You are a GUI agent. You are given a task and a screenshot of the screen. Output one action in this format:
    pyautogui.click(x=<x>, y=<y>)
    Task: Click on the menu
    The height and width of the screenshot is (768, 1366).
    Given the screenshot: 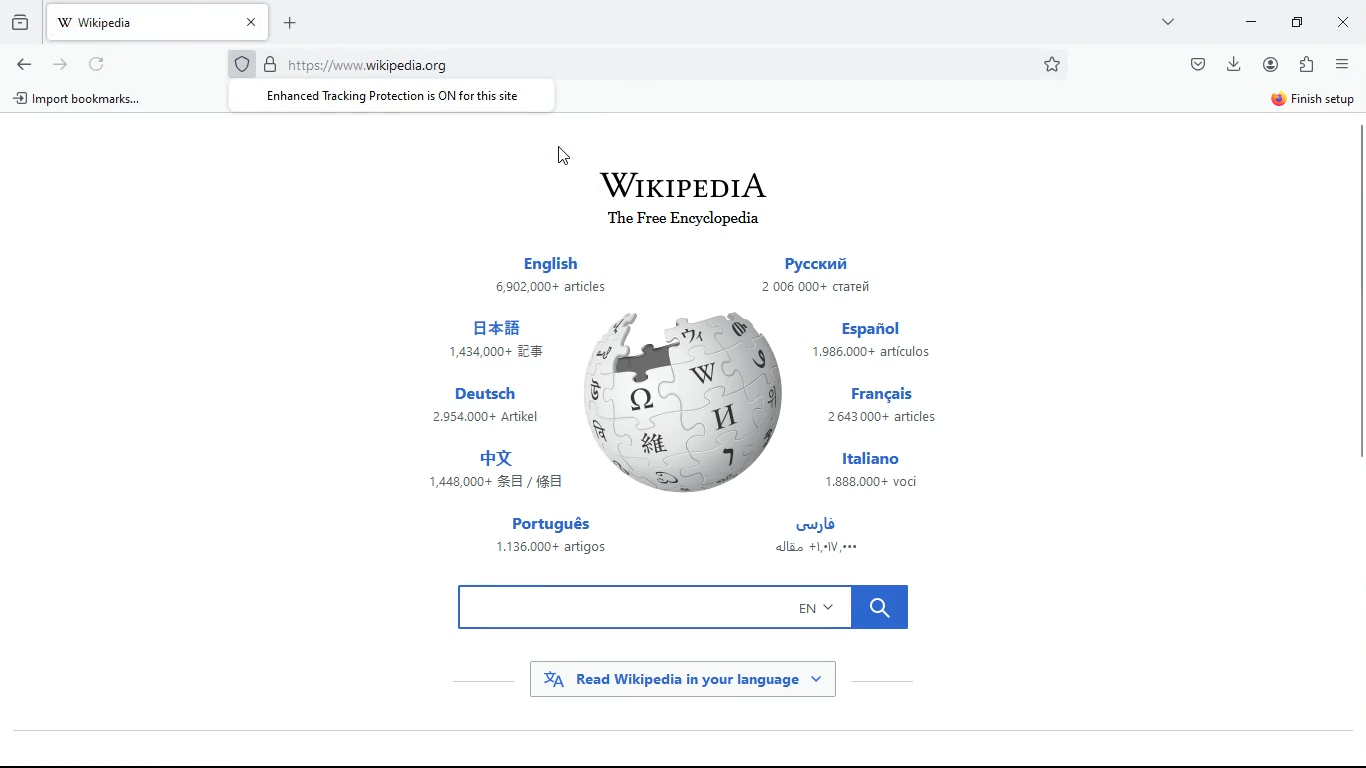 What is the action you would take?
    pyautogui.click(x=1342, y=64)
    